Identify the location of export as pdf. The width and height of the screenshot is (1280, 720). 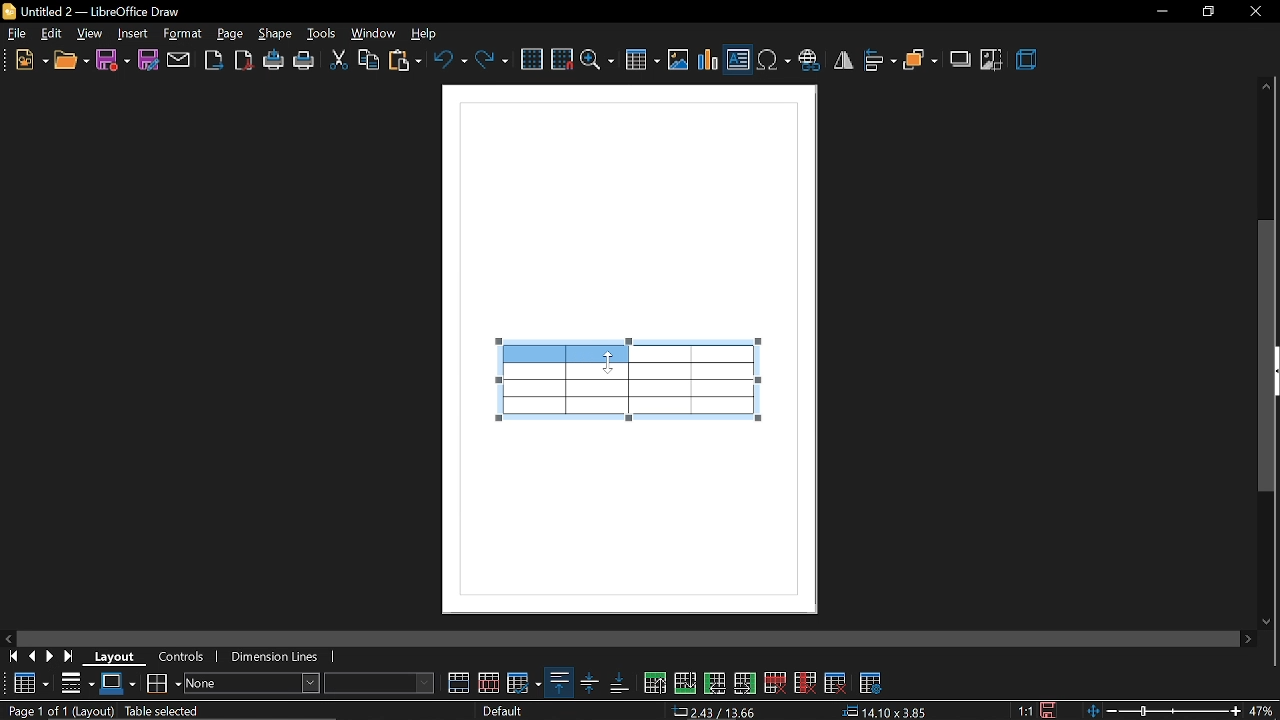
(241, 60).